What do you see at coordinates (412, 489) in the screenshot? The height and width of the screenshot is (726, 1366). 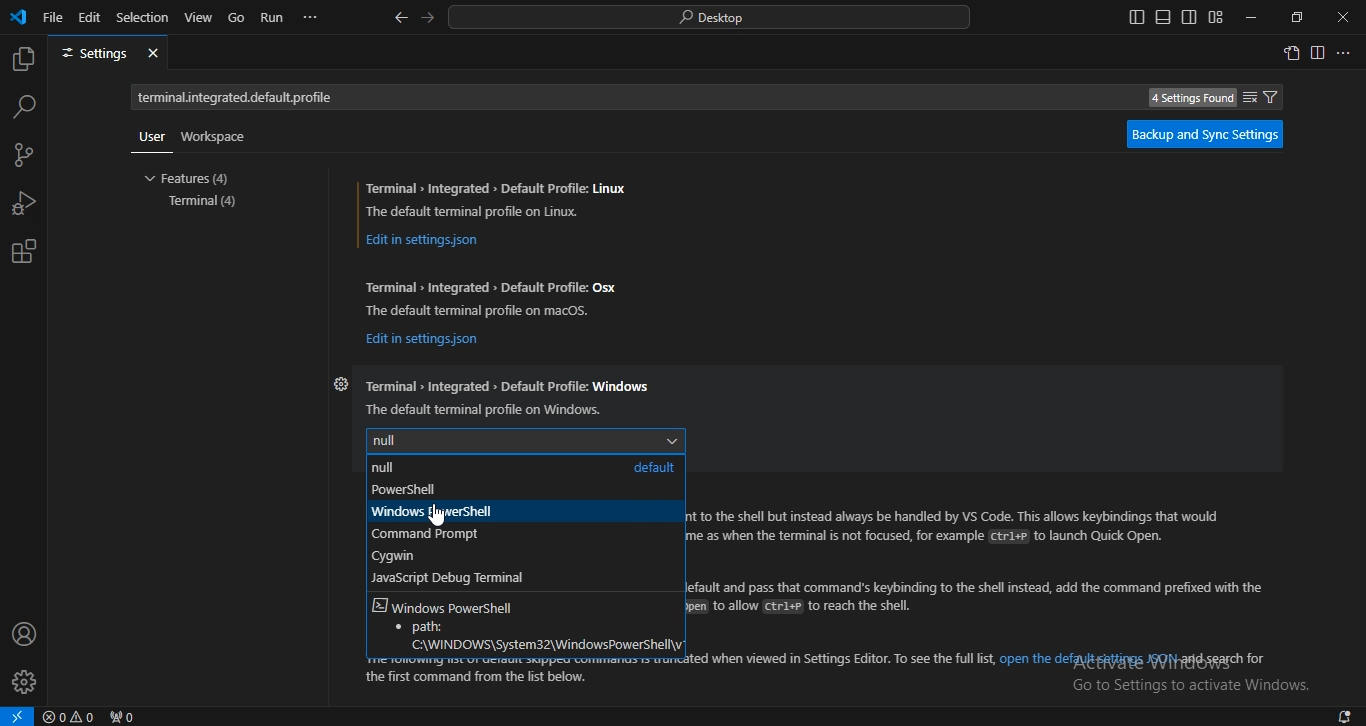 I see `powershell` at bounding box center [412, 489].